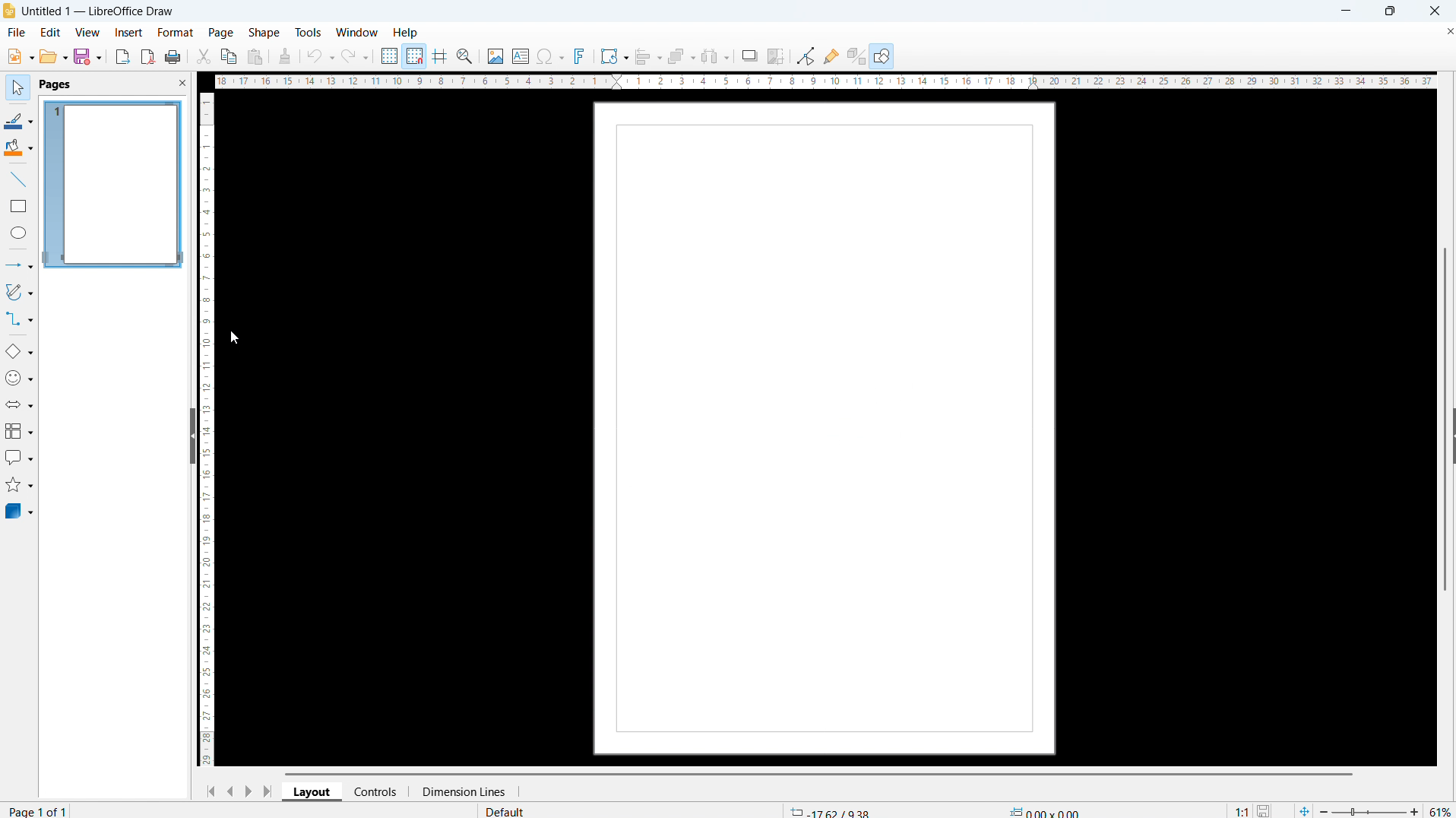  I want to click on flowchart, so click(20, 432).